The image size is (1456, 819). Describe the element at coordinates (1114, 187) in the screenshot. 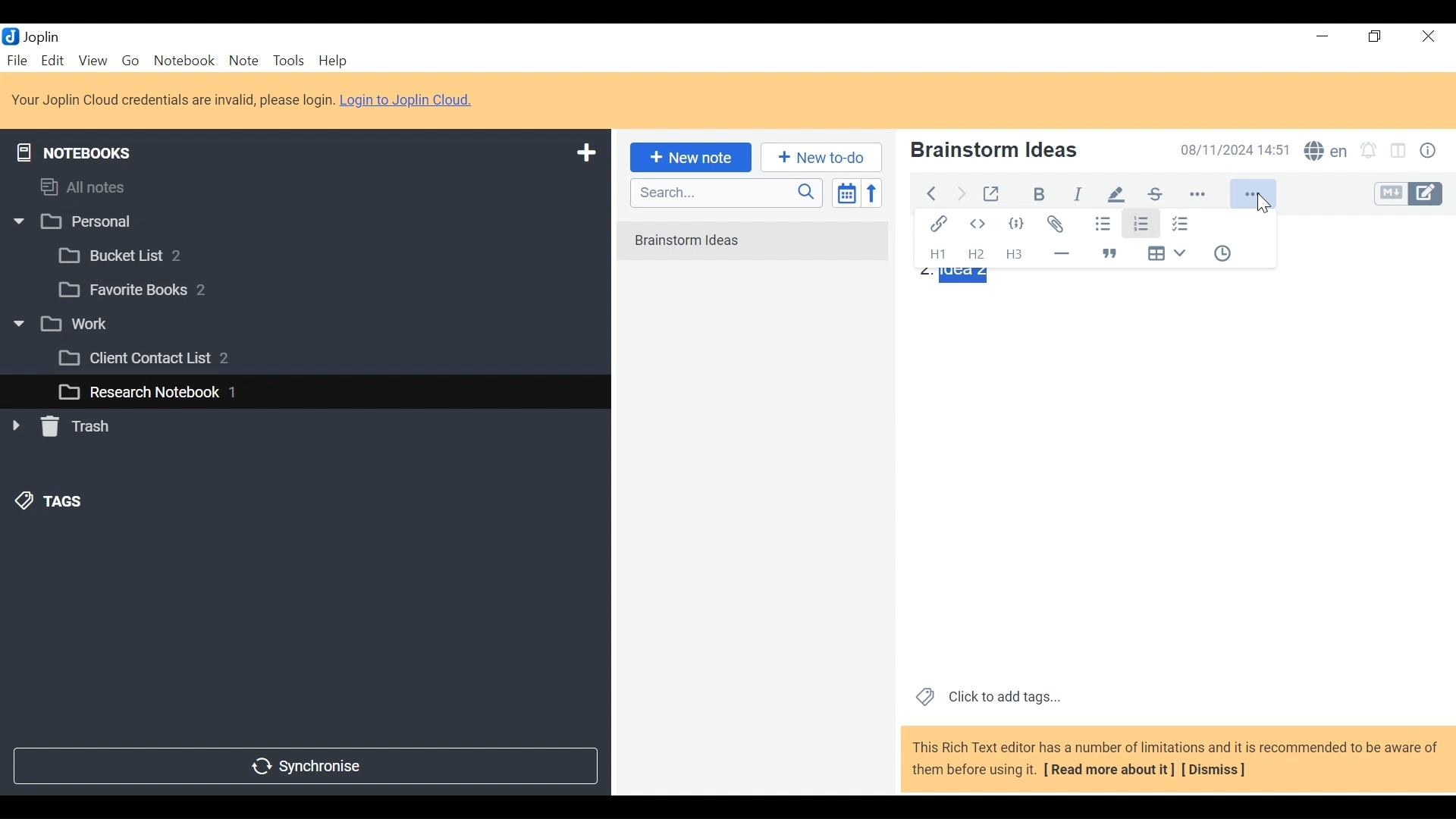

I see `pen` at that location.